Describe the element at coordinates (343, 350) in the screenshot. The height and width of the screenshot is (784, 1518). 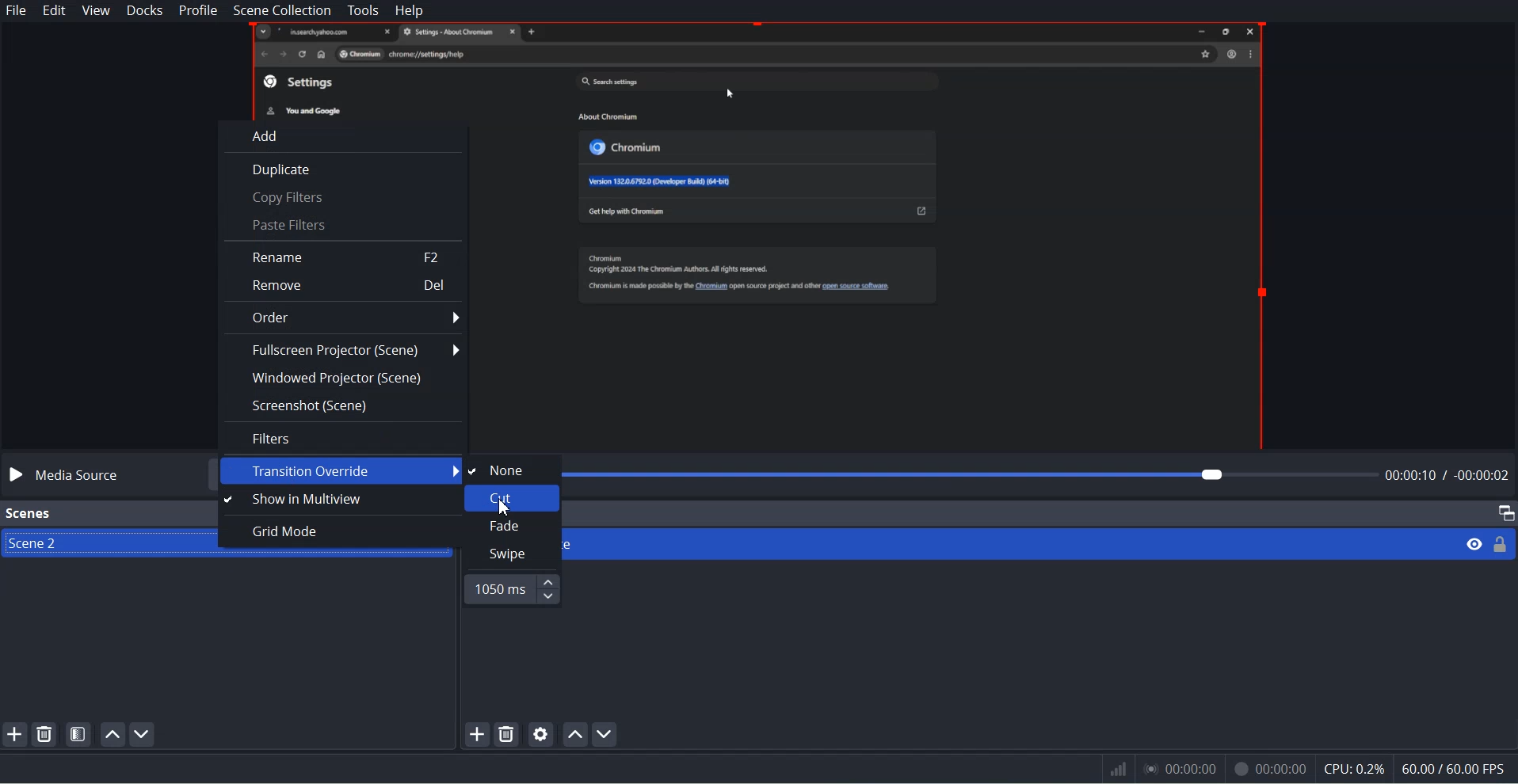
I see `Fullscreen Projector` at that location.